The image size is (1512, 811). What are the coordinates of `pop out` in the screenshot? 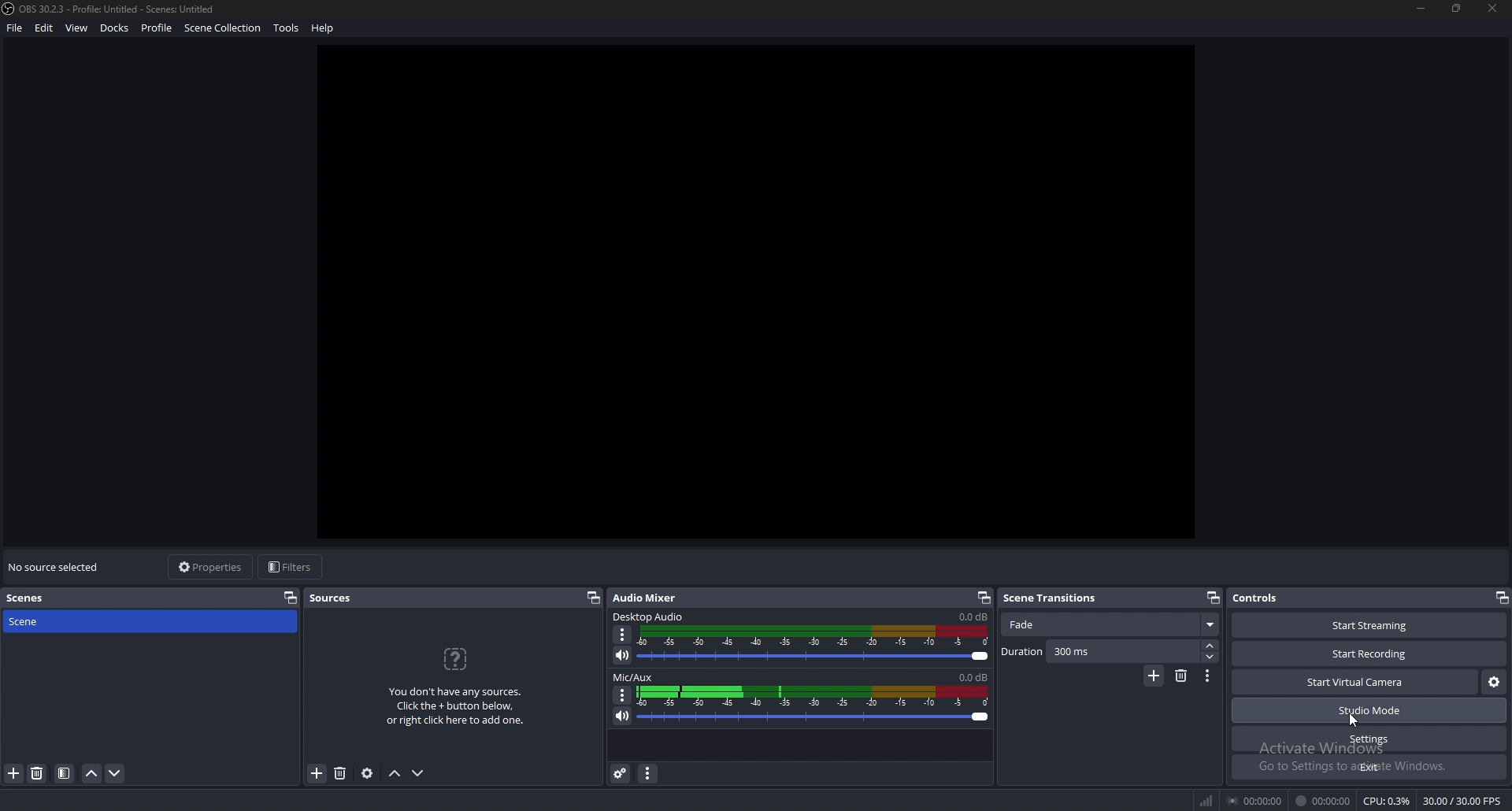 It's located at (291, 597).